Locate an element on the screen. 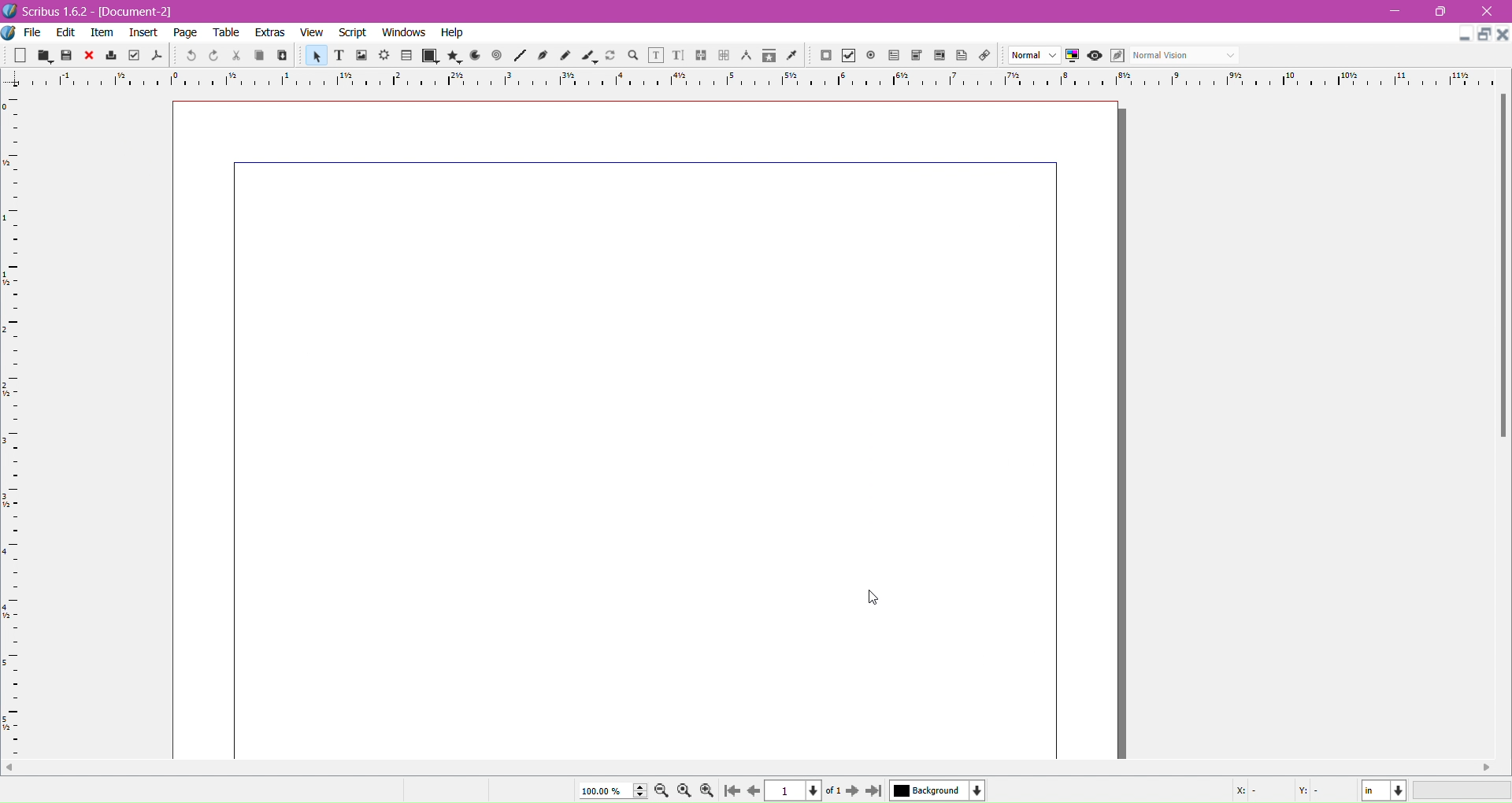 Image resolution: width=1512 pixels, height=803 pixels. icon is located at coordinates (723, 54).